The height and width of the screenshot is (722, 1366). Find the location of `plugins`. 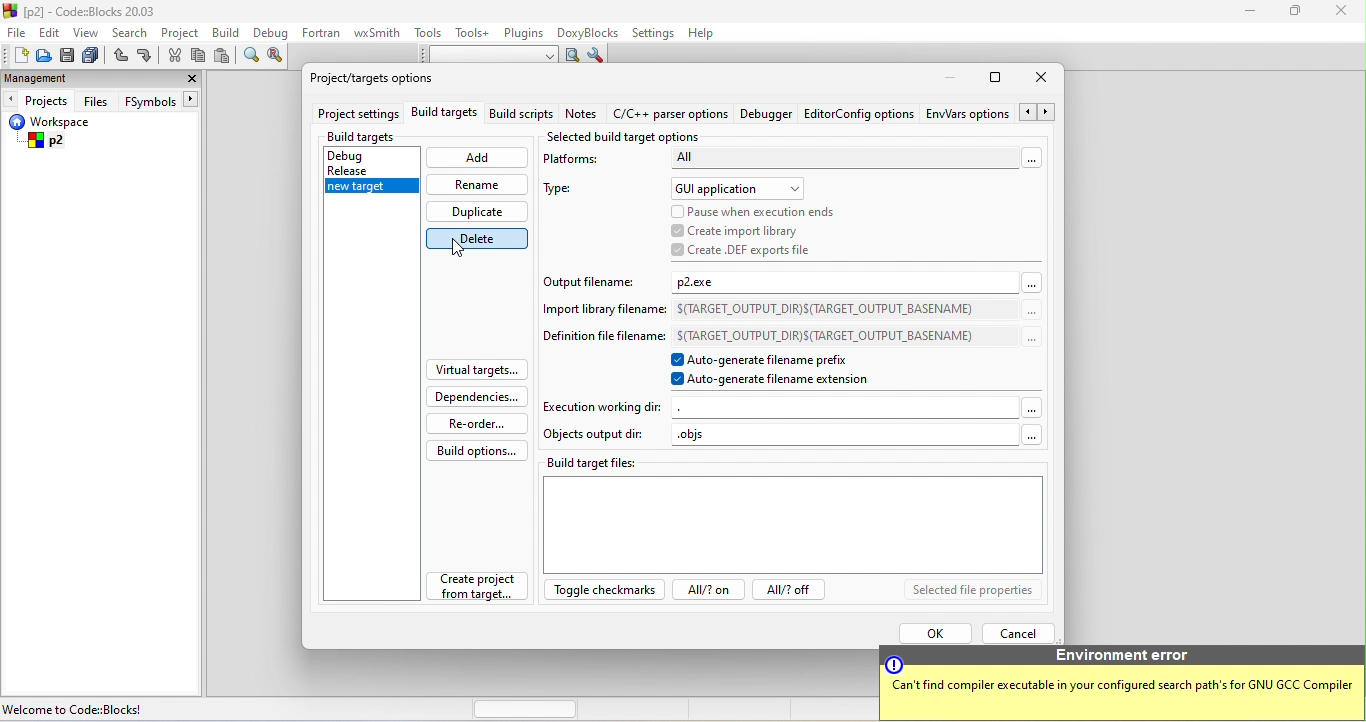

plugins is located at coordinates (525, 34).